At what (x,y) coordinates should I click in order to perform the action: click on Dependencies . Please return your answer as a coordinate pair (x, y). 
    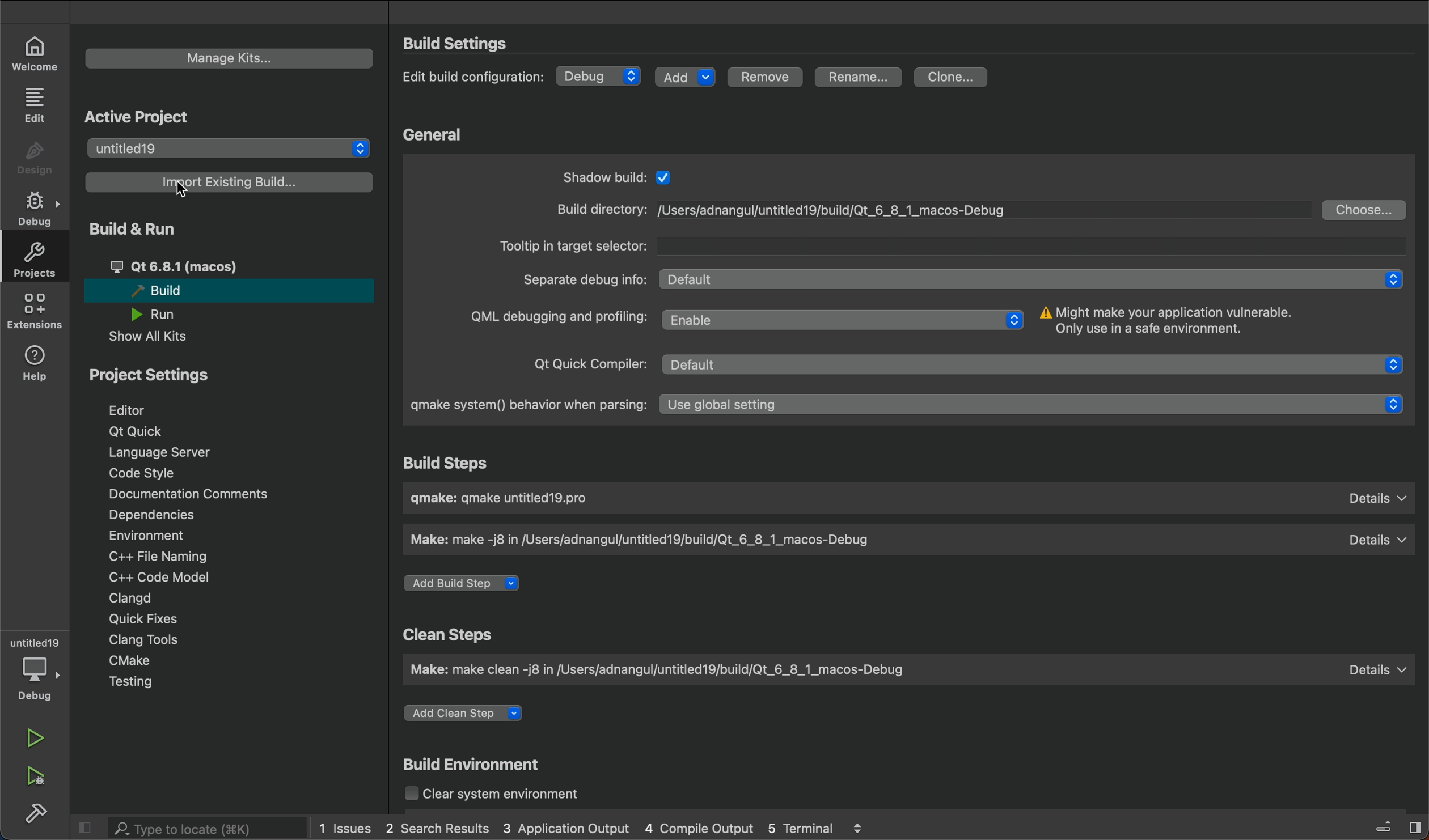
    Looking at the image, I should click on (164, 516).